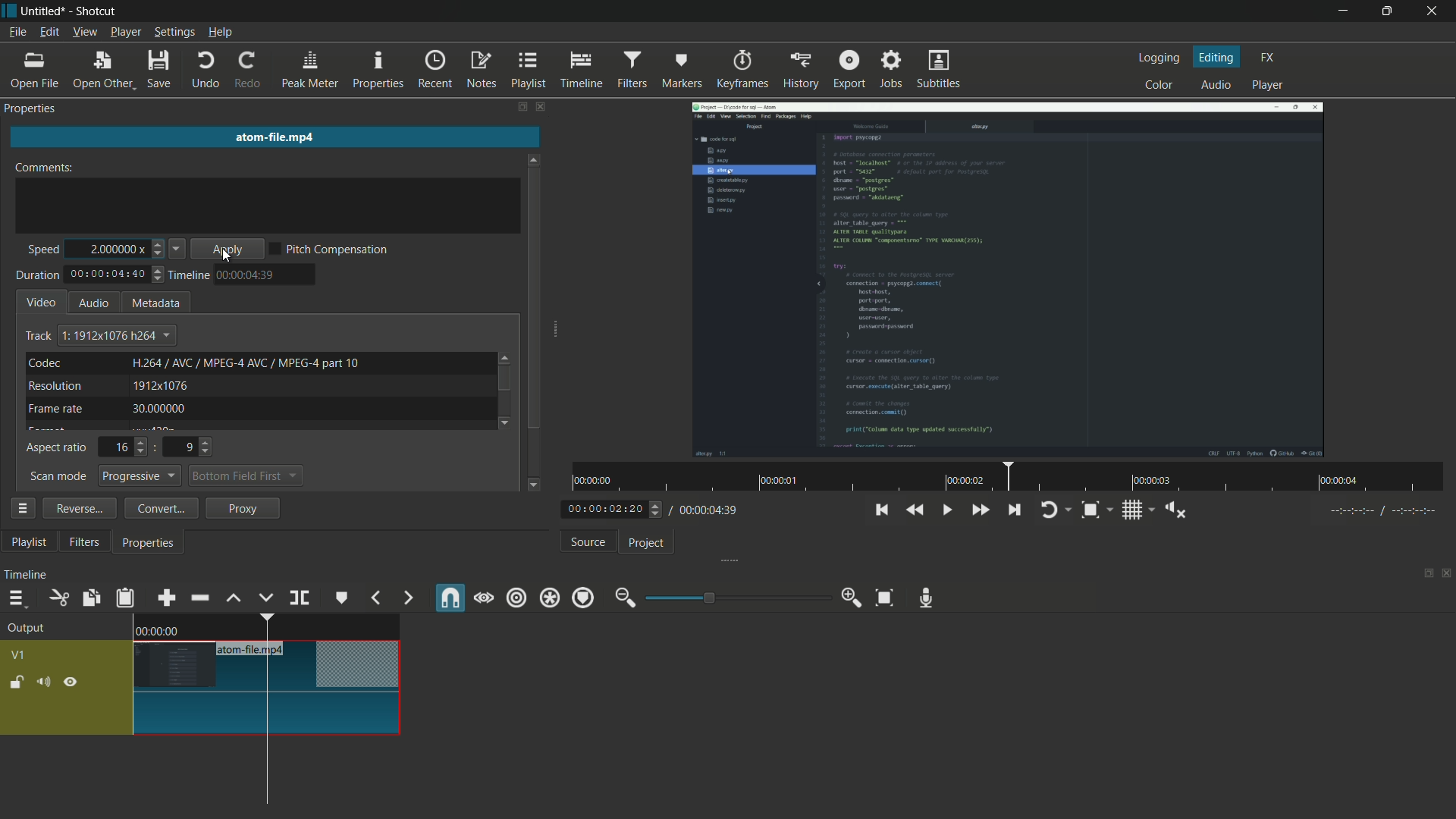 This screenshot has width=1456, height=819. I want to click on convert, so click(162, 507).